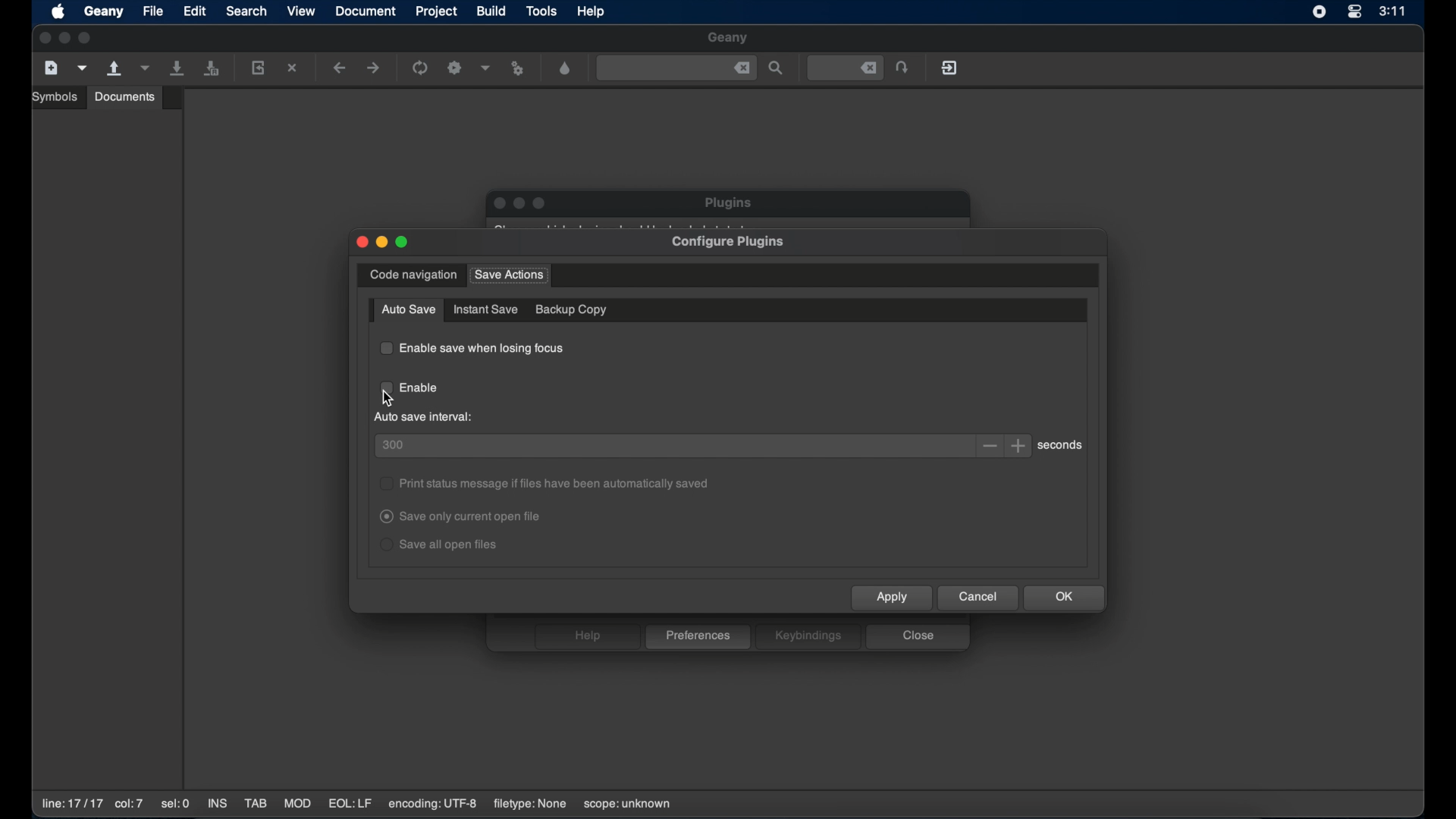  What do you see at coordinates (990, 446) in the screenshot?
I see `decrement` at bounding box center [990, 446].